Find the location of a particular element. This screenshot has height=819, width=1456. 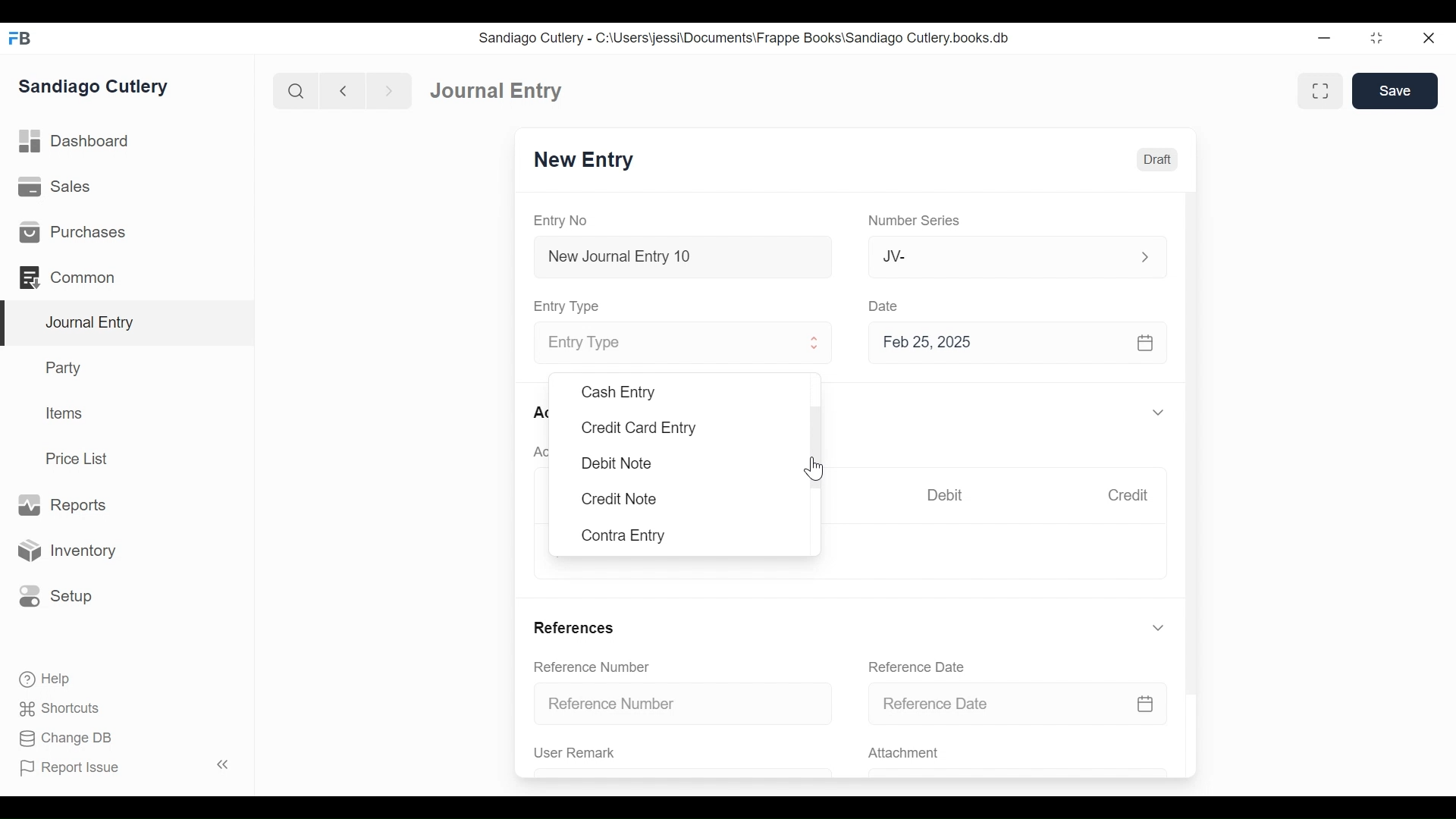

New Journal Entry 10 is located at coordinates (682, 256).